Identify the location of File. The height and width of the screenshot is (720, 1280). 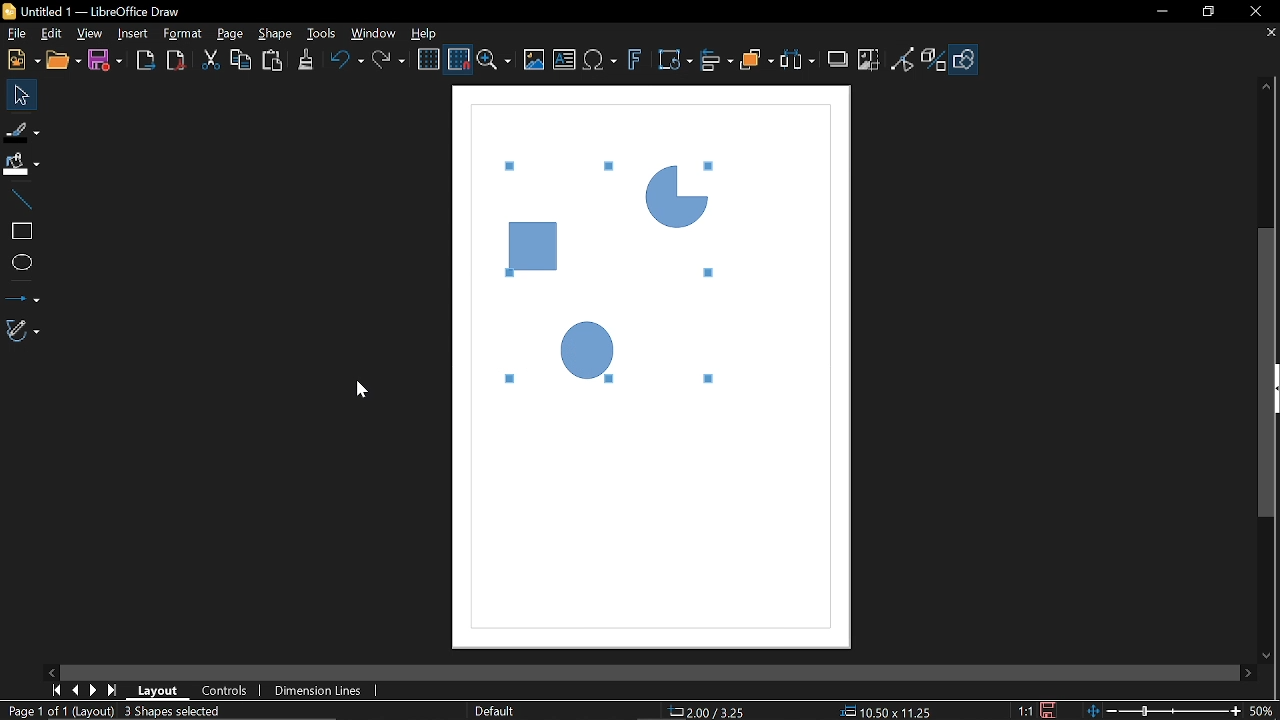
(14, 34).